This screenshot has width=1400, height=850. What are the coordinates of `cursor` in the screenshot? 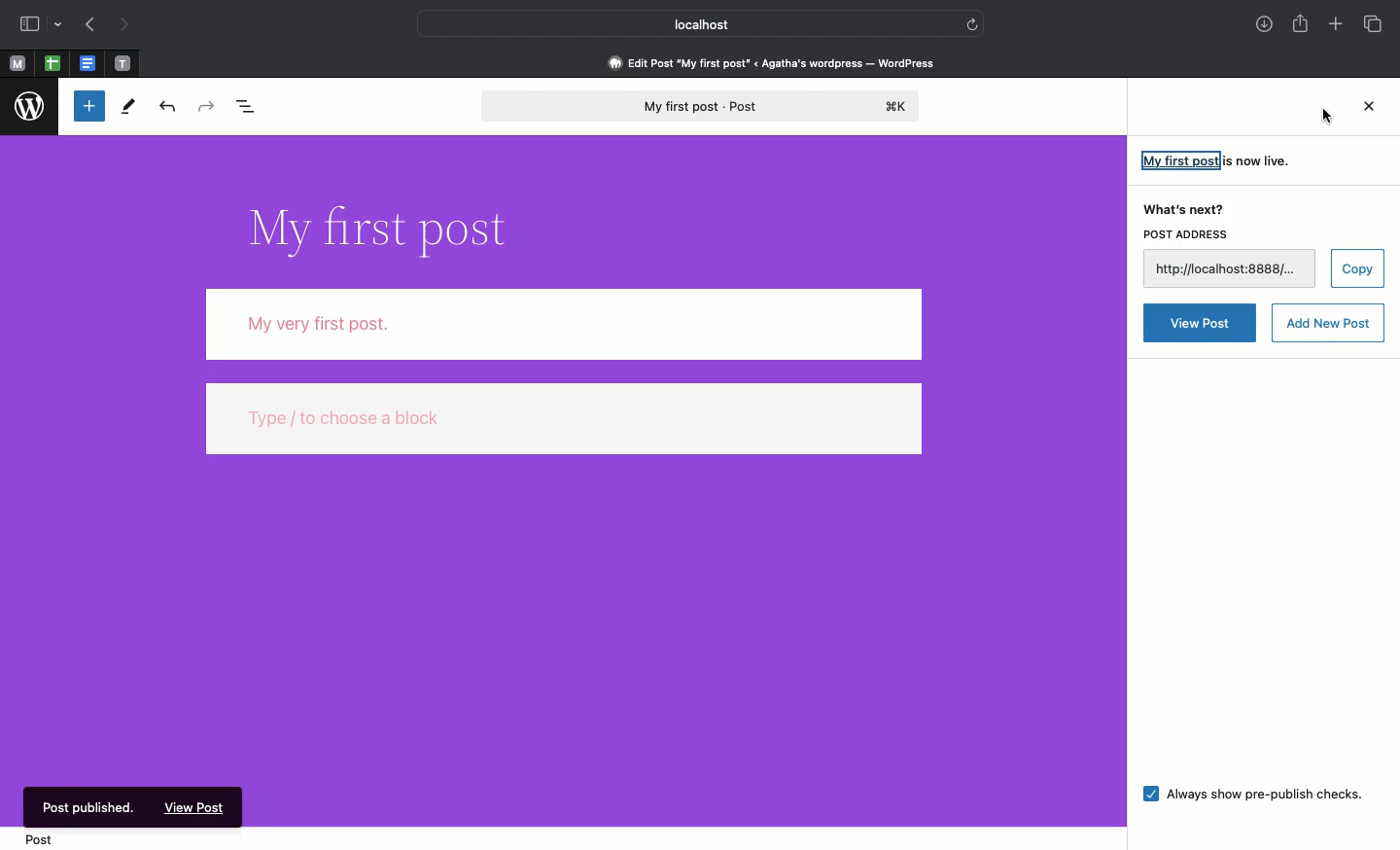 It's located at (1325, 118).